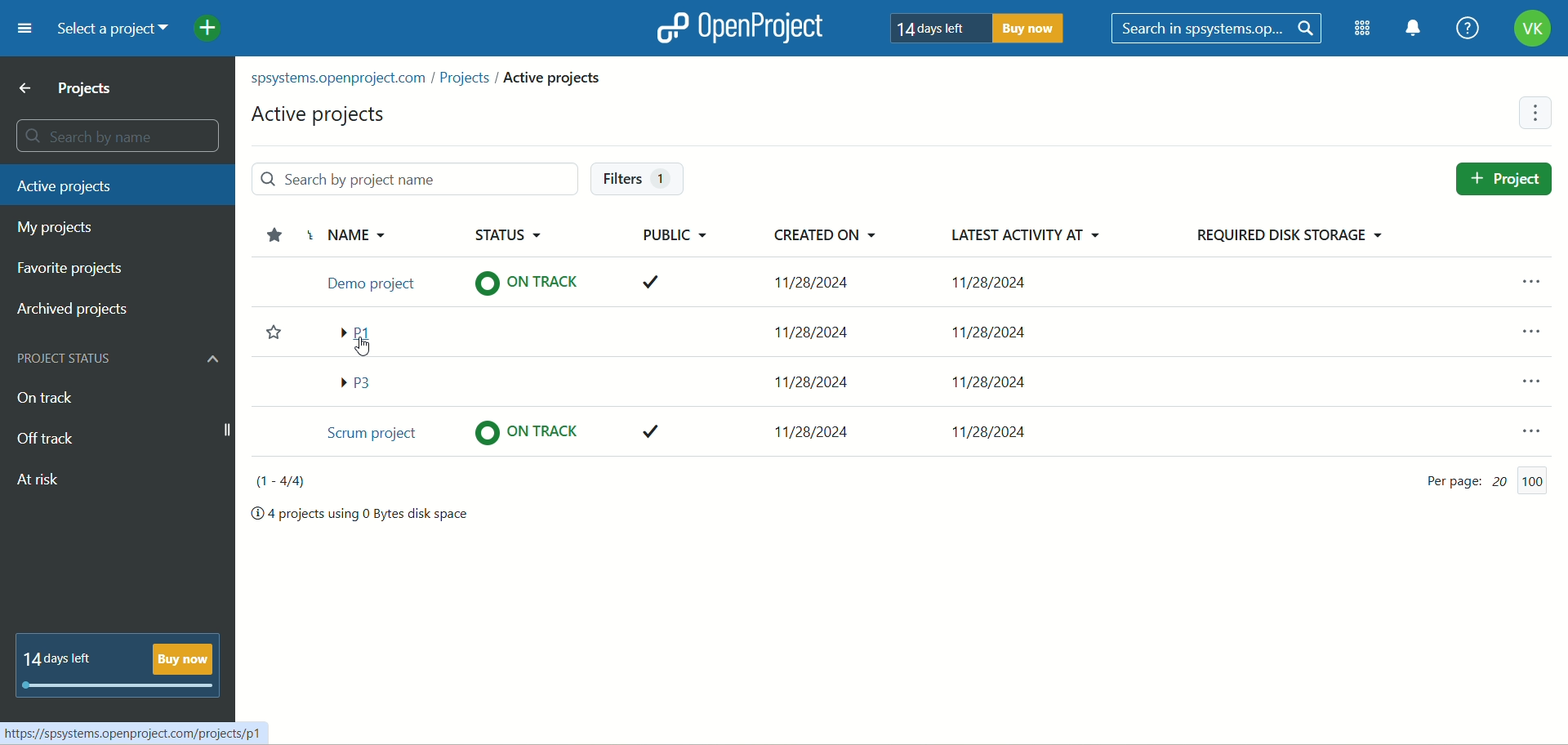 Image resolution: width=1568 pixels, height=745 pixels. What do you see at coordinates (1035, 31) in the screenshot?
I see `buy now` at bounding box center [1035, 31].